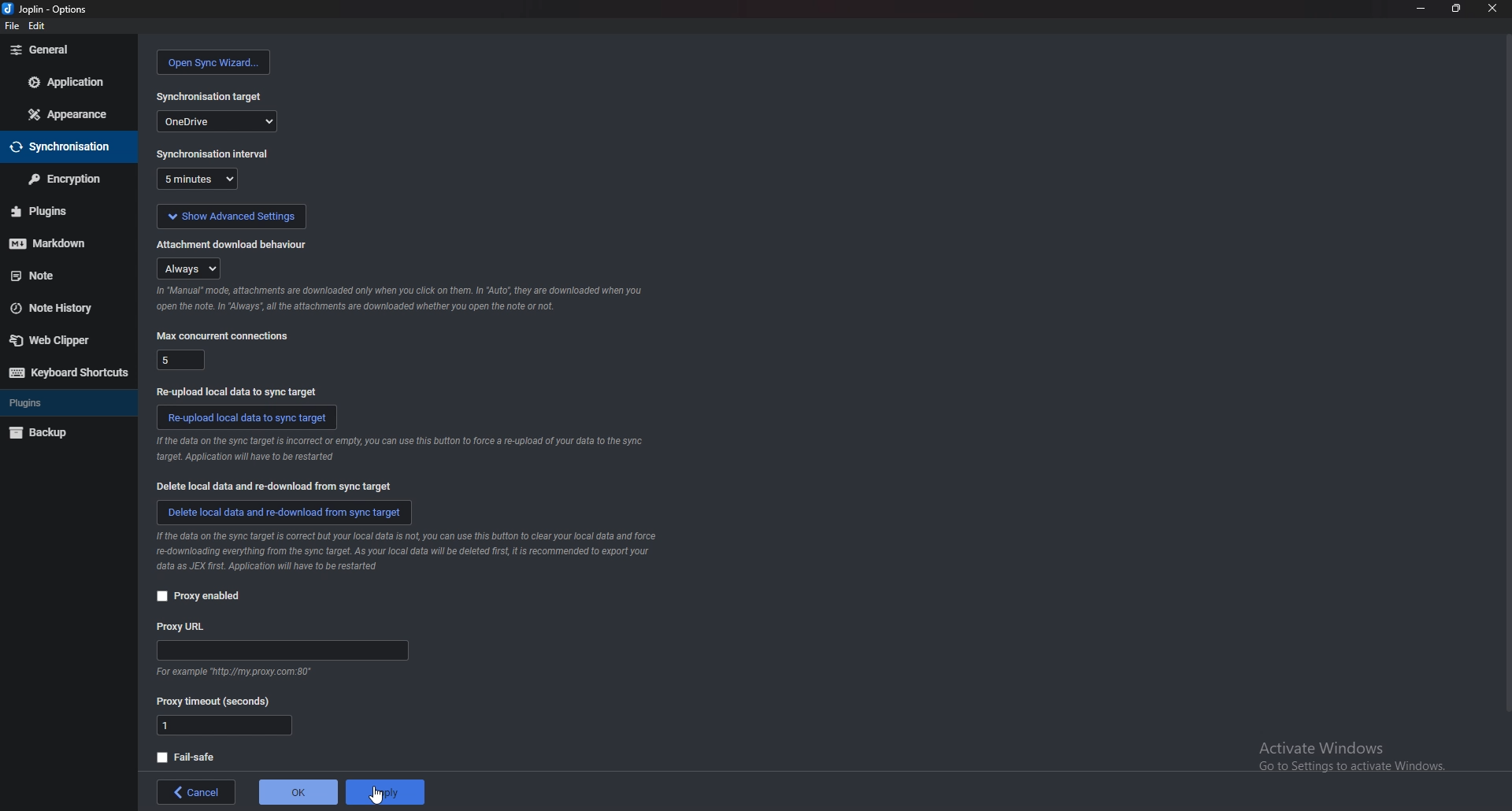  What do you see at coordinates (235, 244) in the screenshot?
I see `attachment doownload behaviour` at bounding box center [235, 244].